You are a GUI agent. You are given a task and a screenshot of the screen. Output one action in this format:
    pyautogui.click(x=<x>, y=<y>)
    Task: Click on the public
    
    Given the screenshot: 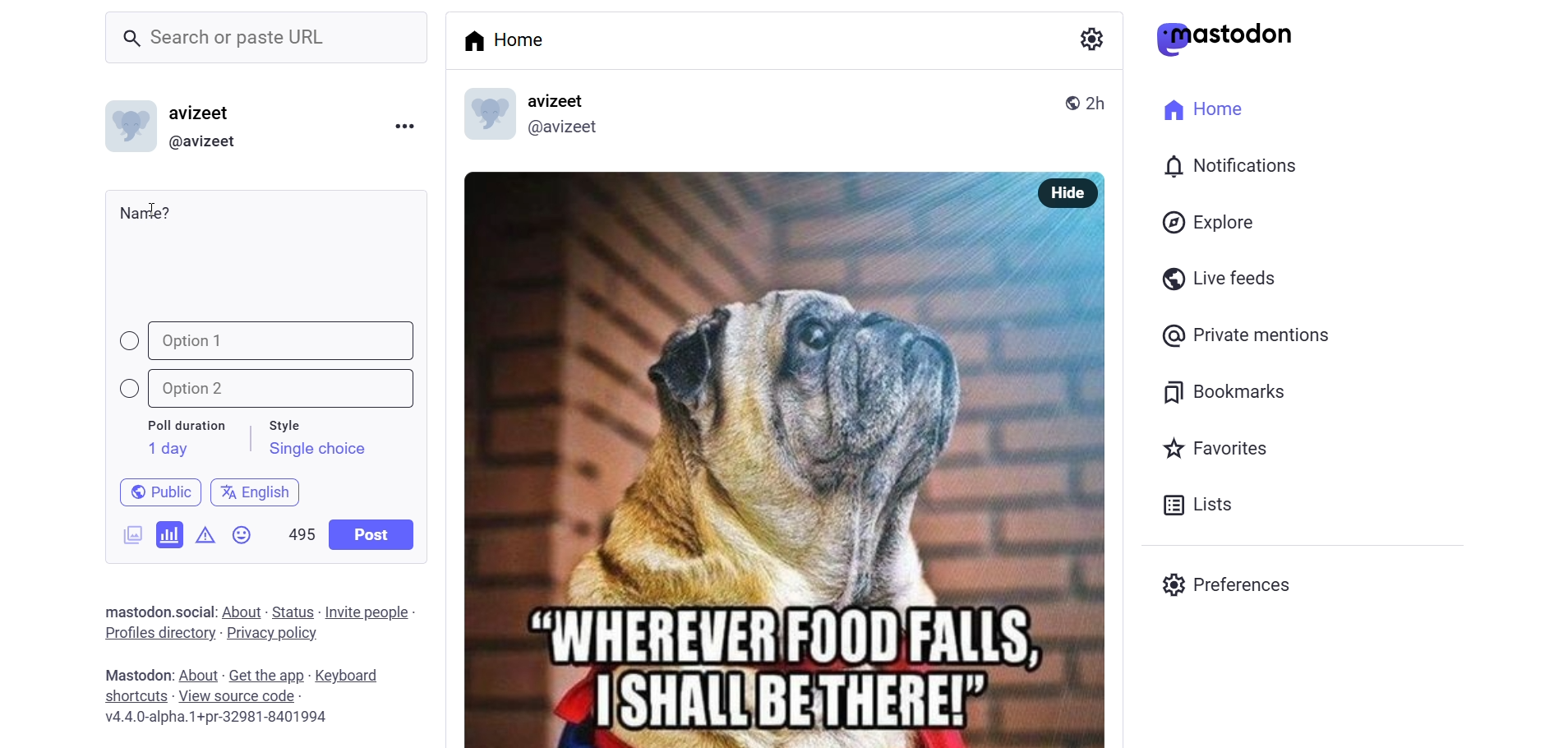 What is the action you would take?
    pyautogui.click(x=153, y=491)
    